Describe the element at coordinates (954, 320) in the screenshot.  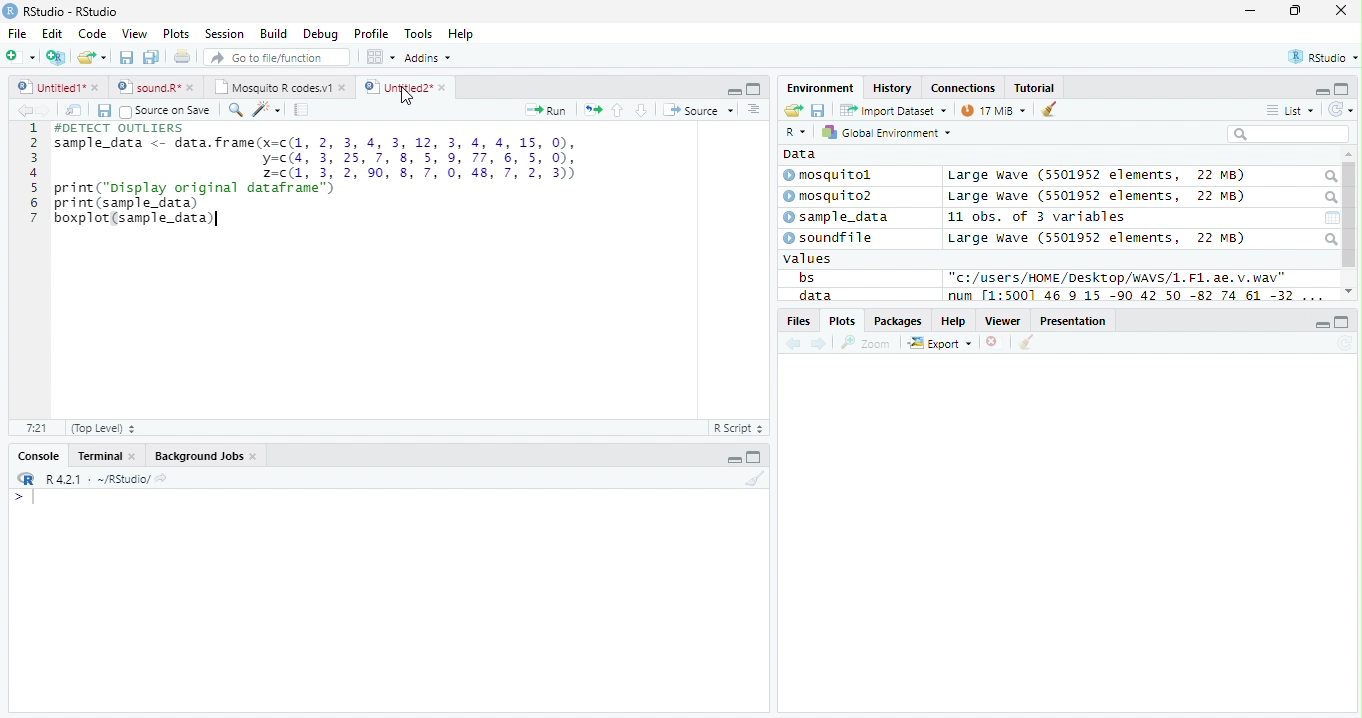
I see `Help` at that location.